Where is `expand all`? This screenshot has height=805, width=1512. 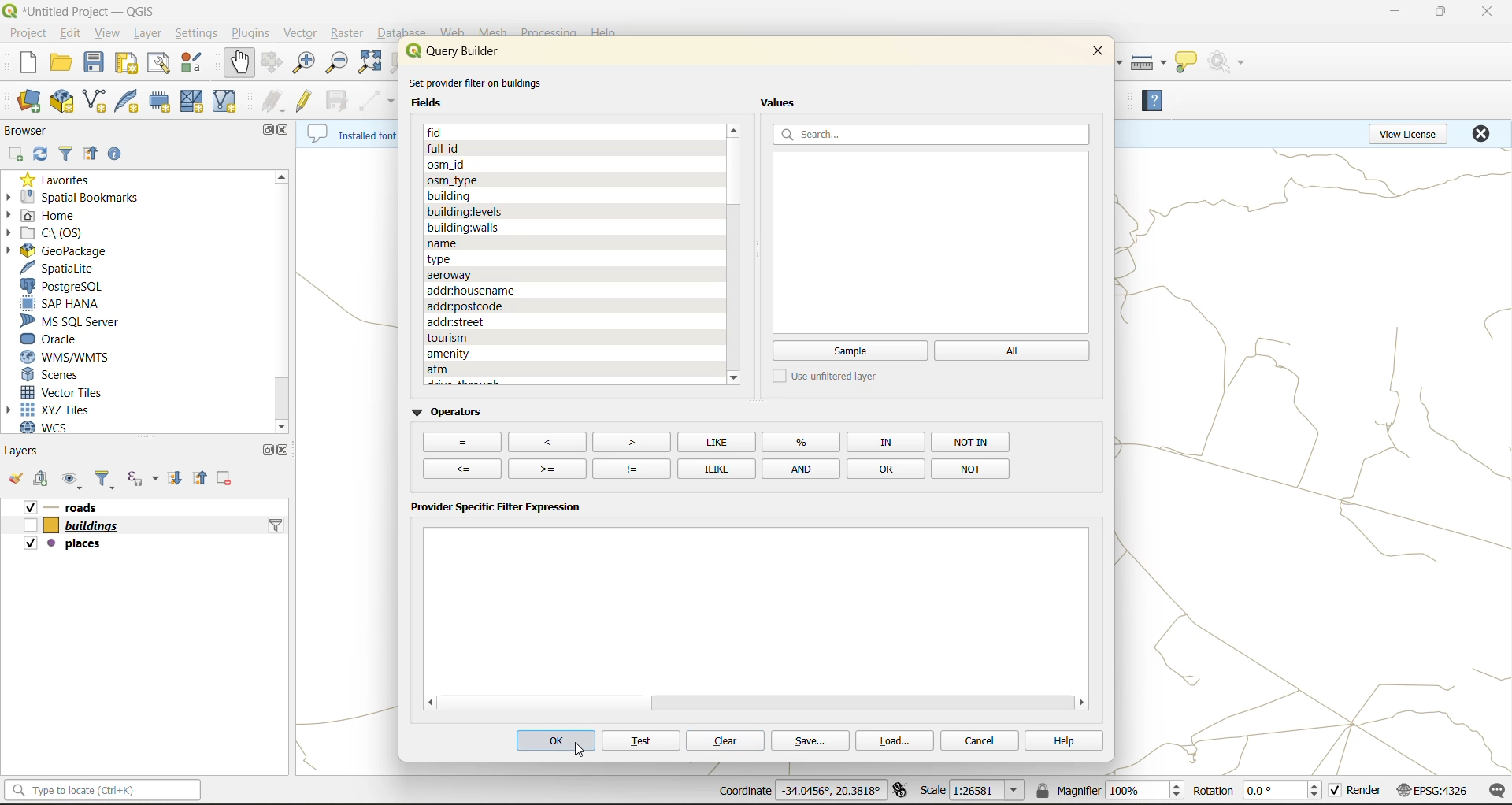
expand all is located at coordinates (177, 477).